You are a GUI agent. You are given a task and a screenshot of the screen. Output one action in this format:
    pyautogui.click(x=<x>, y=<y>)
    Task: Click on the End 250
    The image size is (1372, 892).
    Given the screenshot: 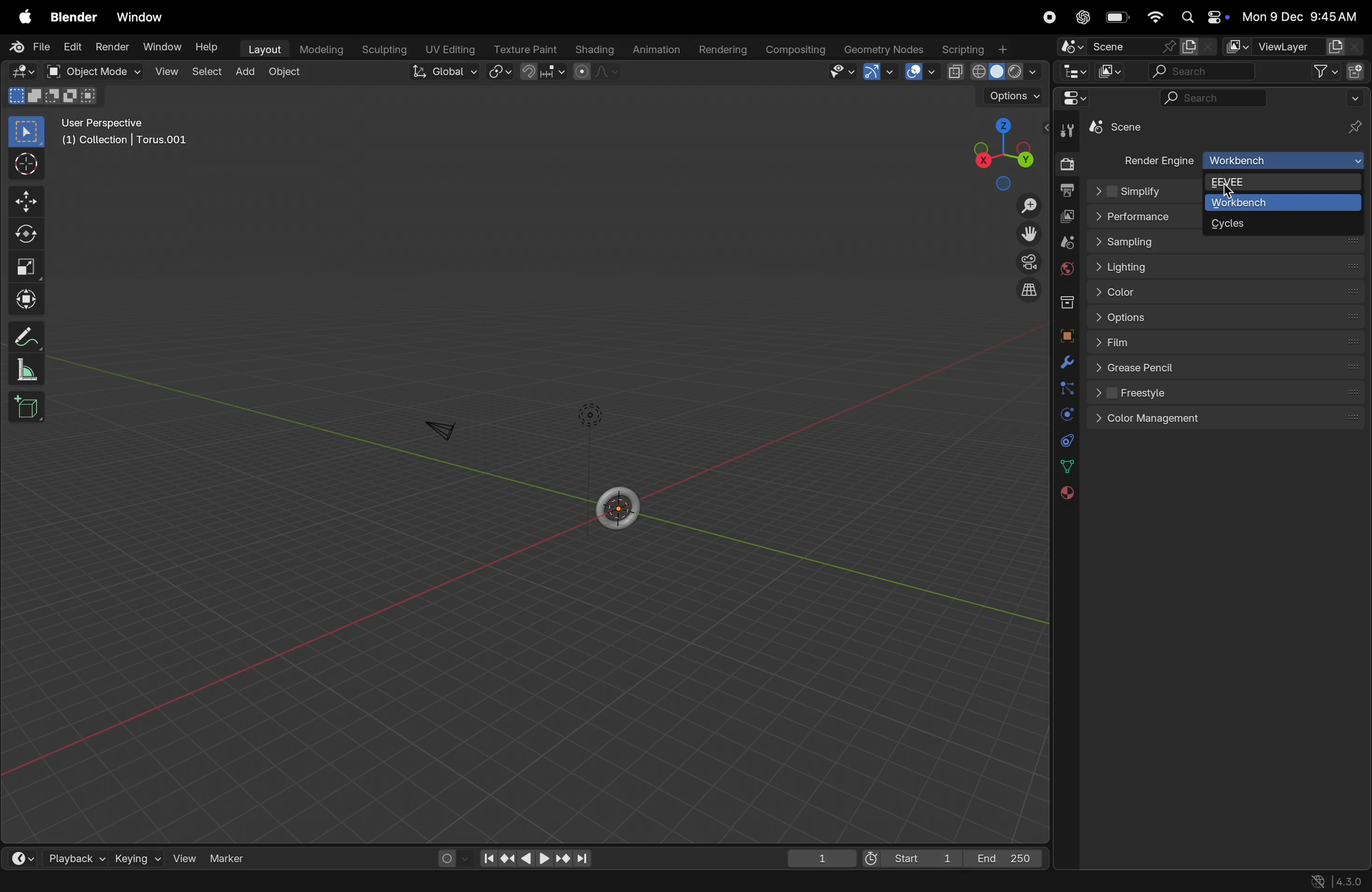 What is the action you would take?
    pyautogui.click(x=1004, y=859)
    